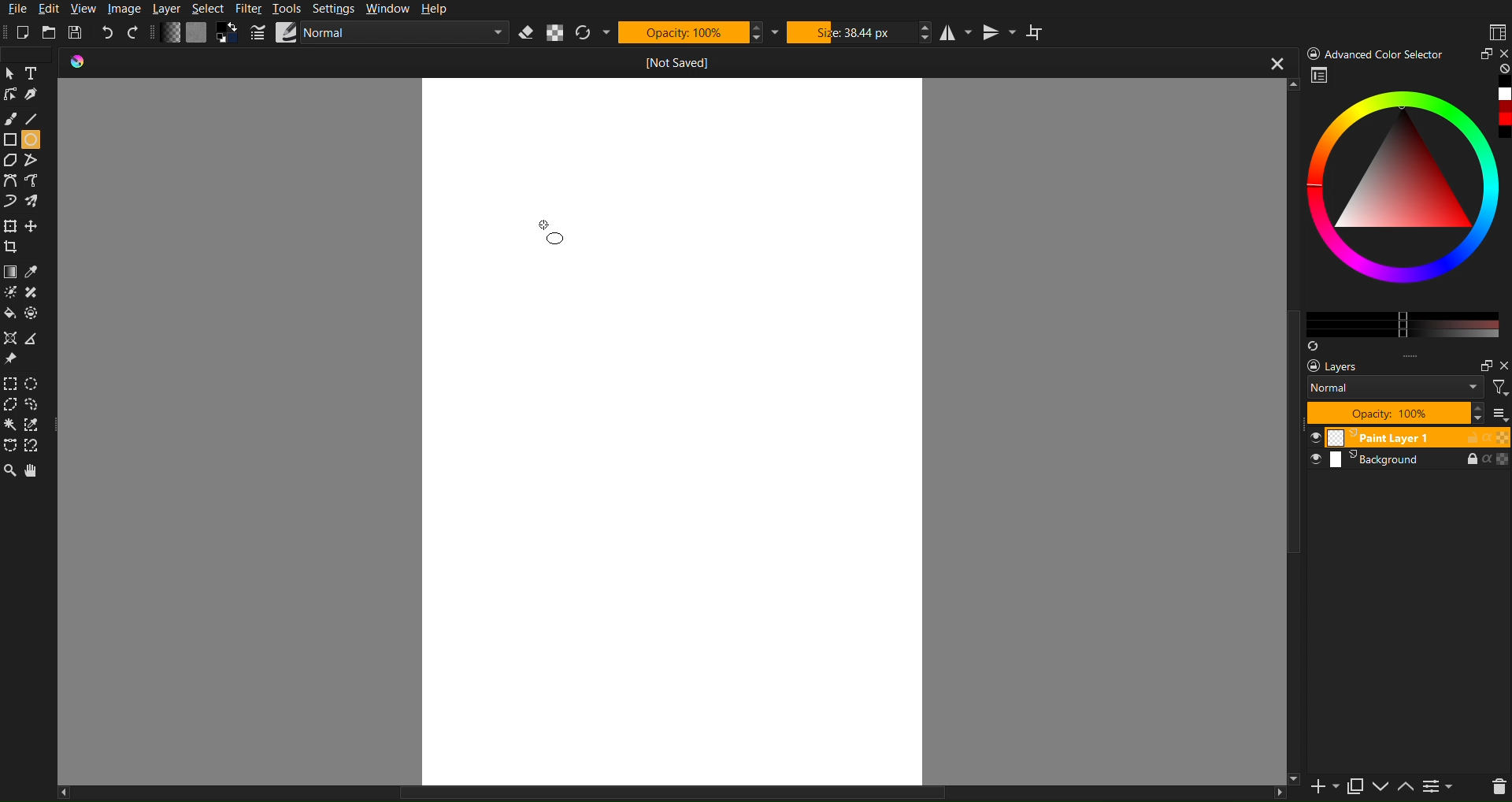 This screenshot has width=1512, height=802. I want to click on Pen, so click(33, 95).